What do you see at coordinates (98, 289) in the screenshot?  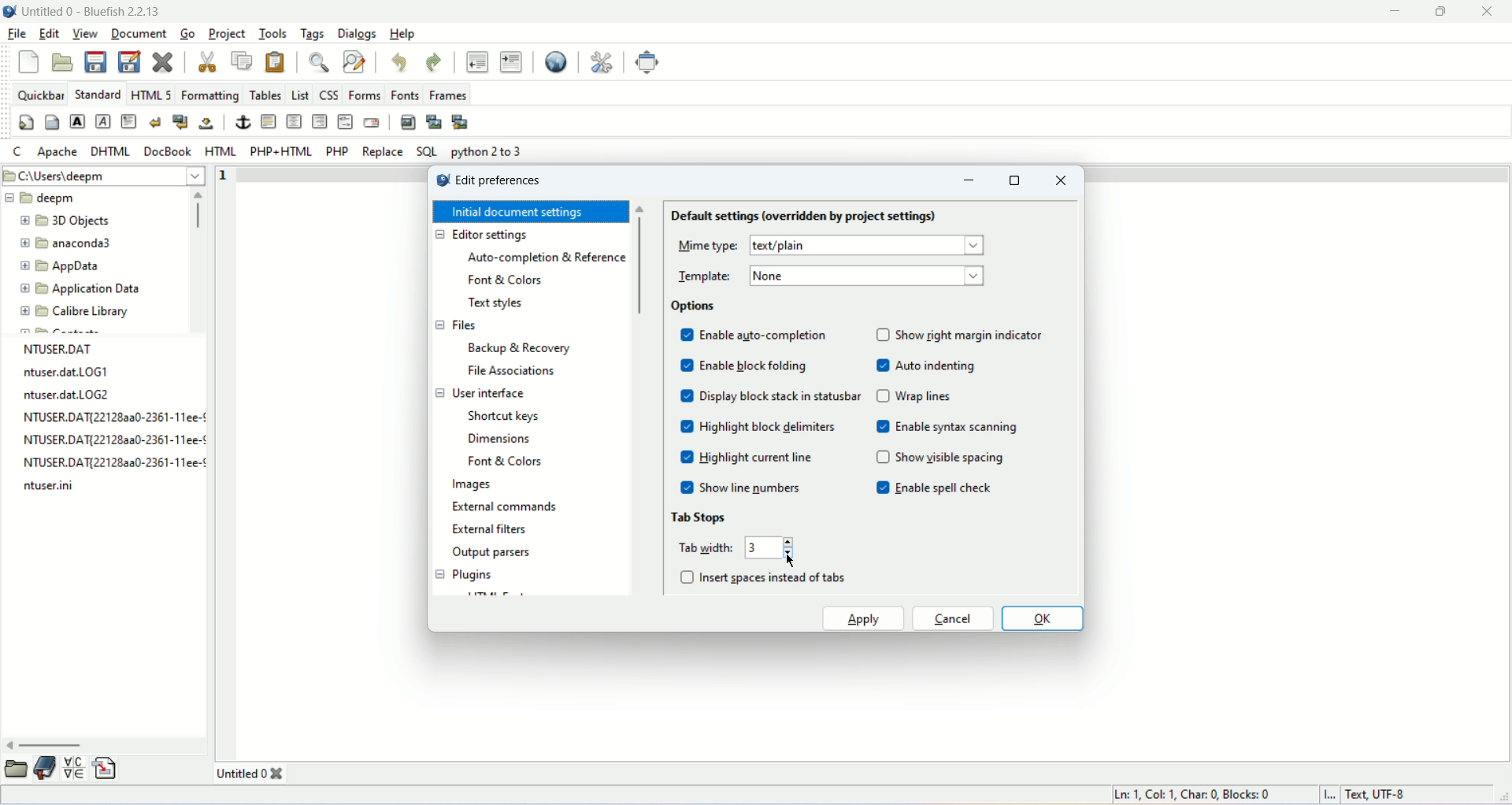 I see `Application Data` at bounding box center [98, 289].